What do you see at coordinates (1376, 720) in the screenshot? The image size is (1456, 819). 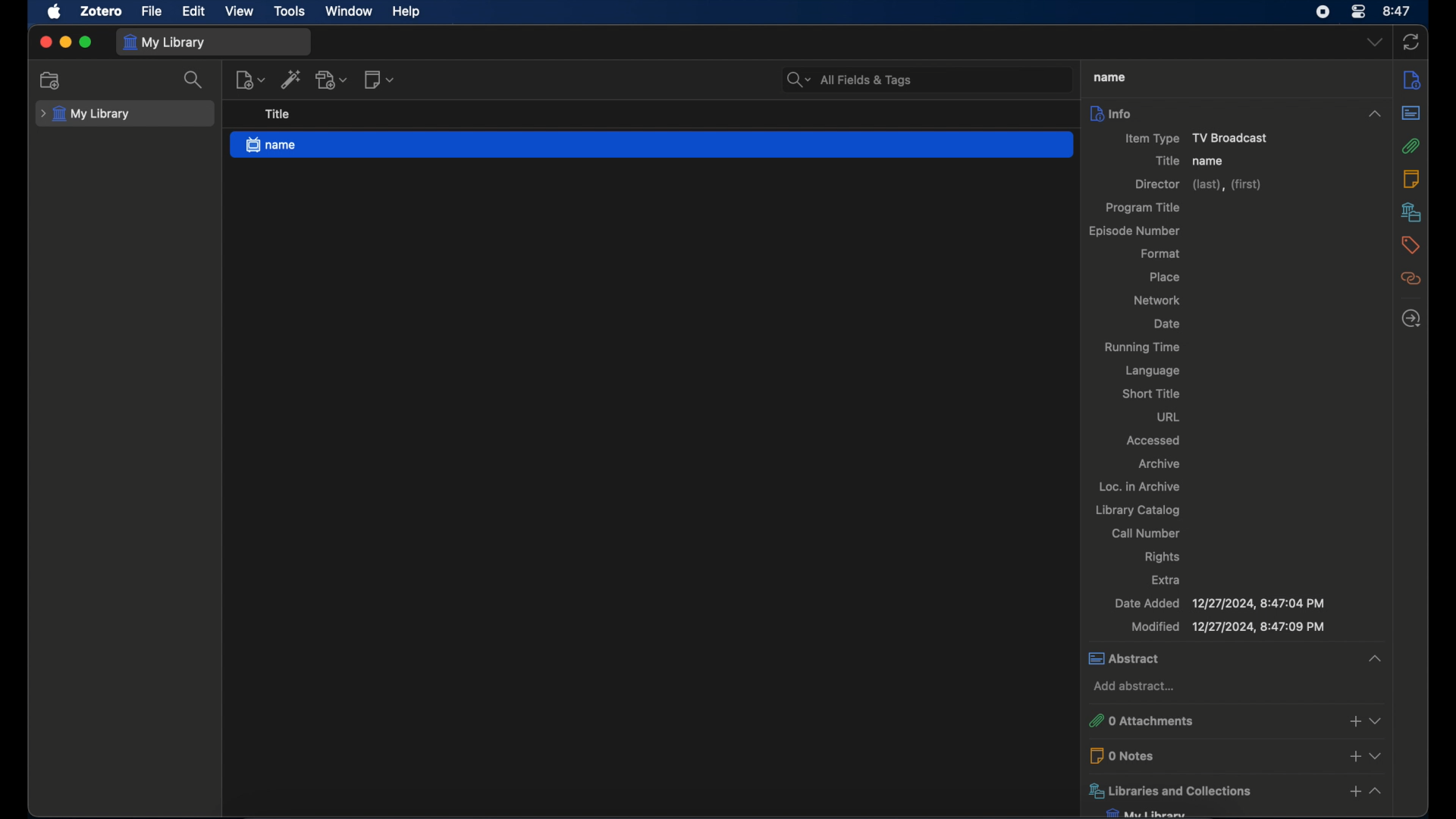 I see `dropdown` at bounding box center [1376, 720].